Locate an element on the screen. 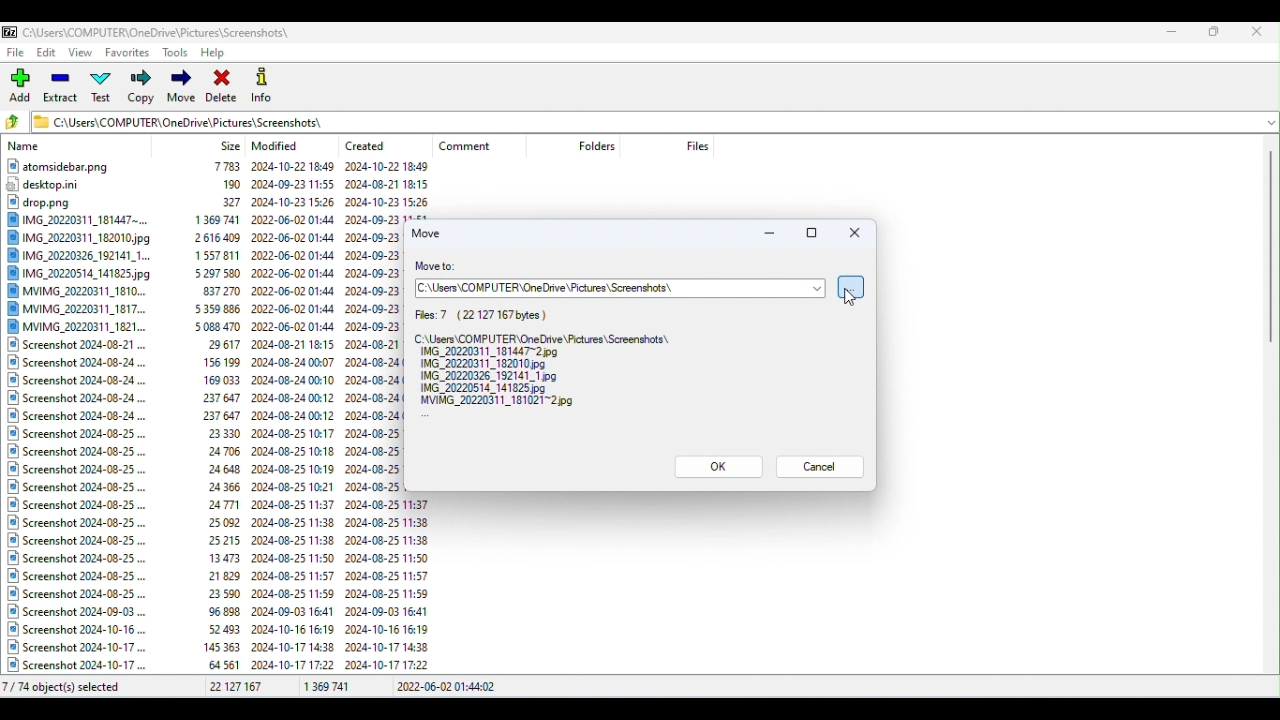  Tools is located at coordinates (176, 52).